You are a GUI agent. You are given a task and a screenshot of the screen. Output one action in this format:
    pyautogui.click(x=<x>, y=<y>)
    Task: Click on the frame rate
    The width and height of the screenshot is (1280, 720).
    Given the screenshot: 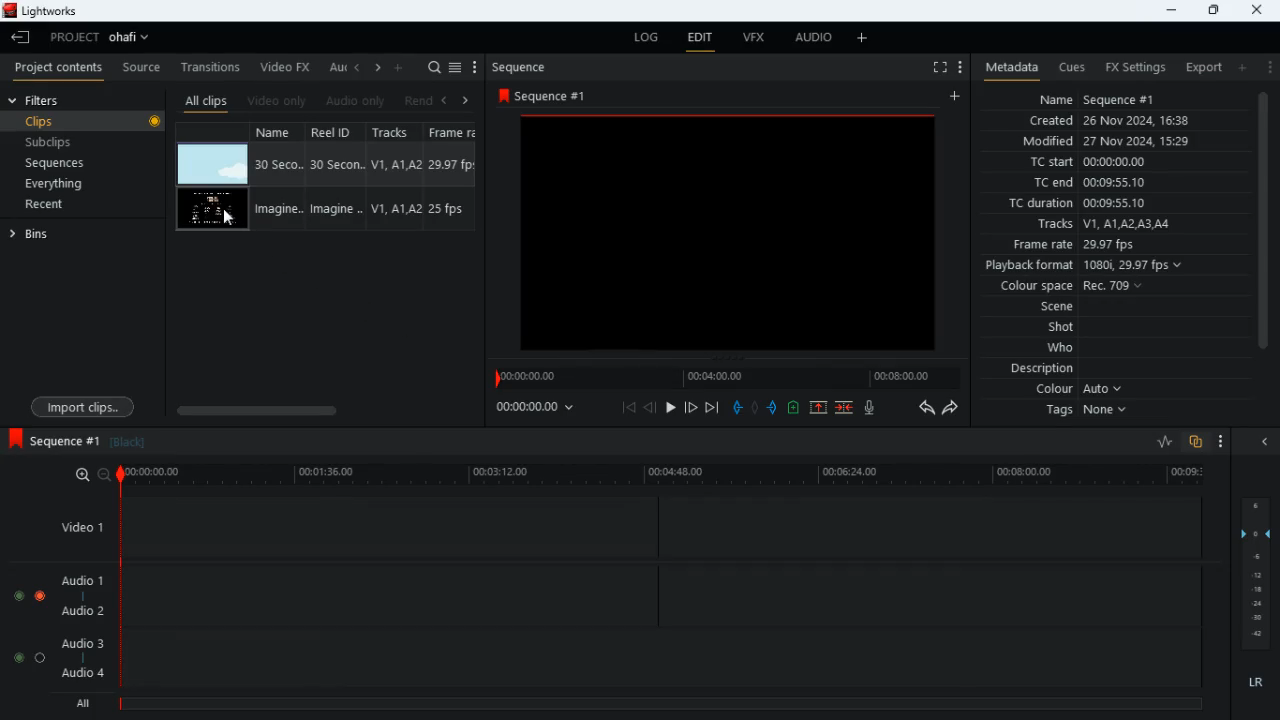 What is the action you would take?
    pyautogui.click(x=1104, y=245)
    